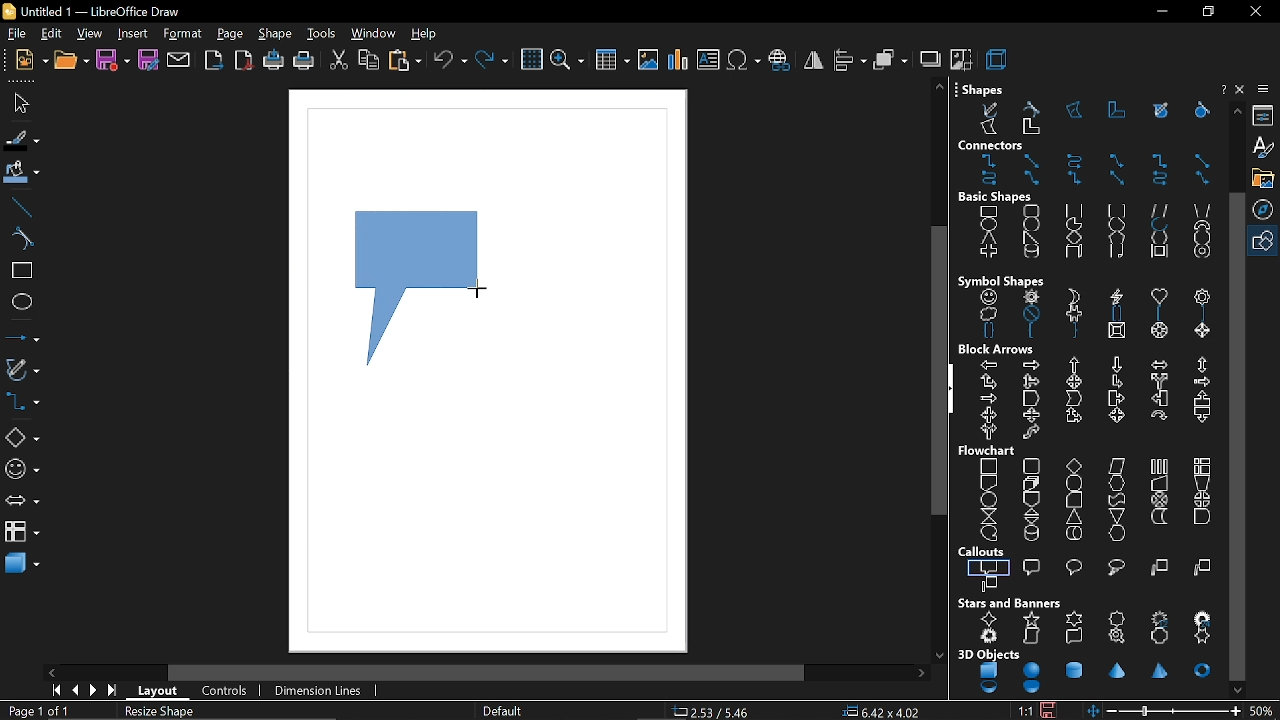  What do you see at coordinates (16, 33) in the screenshot?
I see `file` at bounding box center [16, 33].